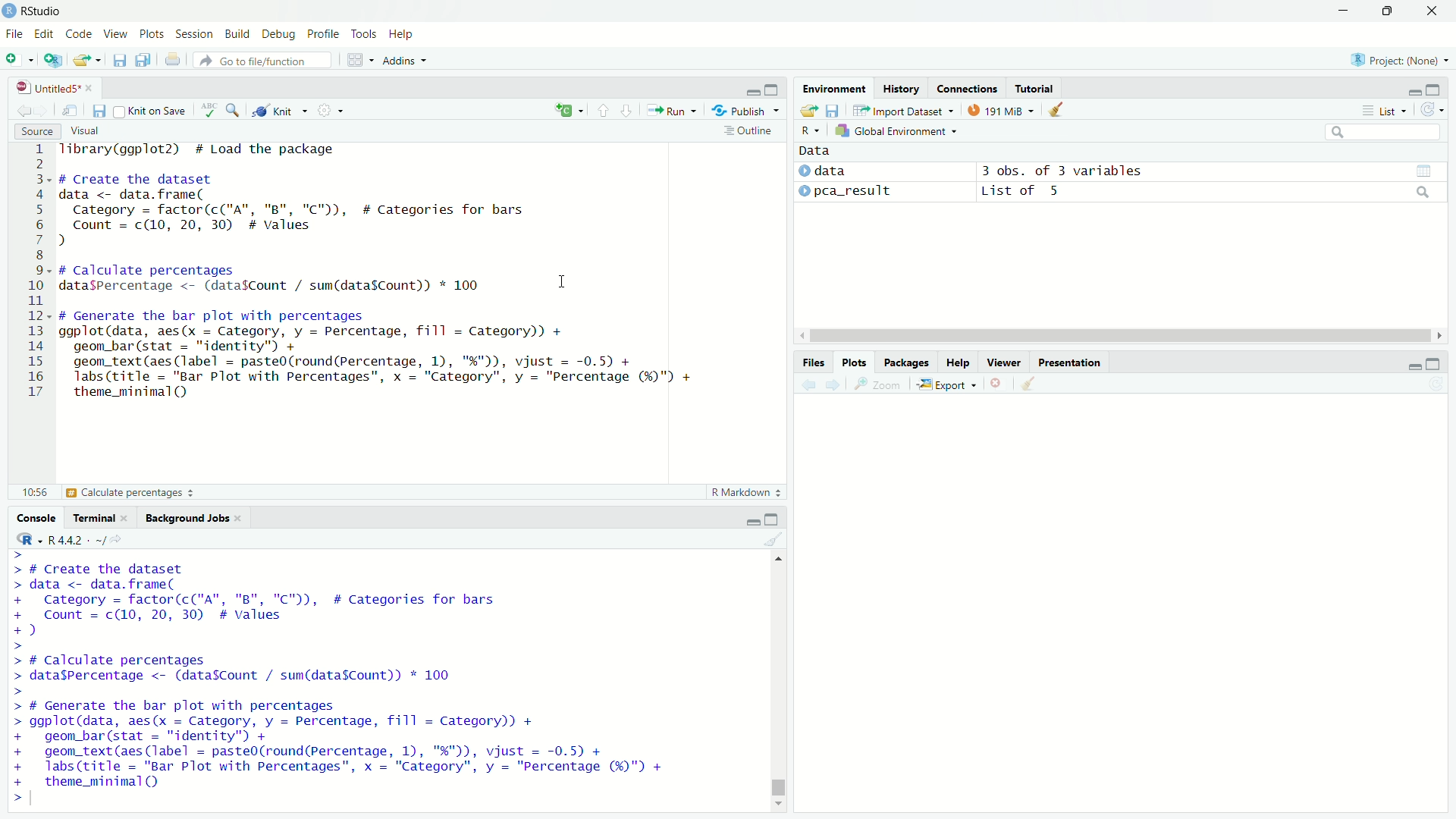  Describe the element at coordinates (776, 762) in the screenshot. I see `vertical scrollbar` at that location.